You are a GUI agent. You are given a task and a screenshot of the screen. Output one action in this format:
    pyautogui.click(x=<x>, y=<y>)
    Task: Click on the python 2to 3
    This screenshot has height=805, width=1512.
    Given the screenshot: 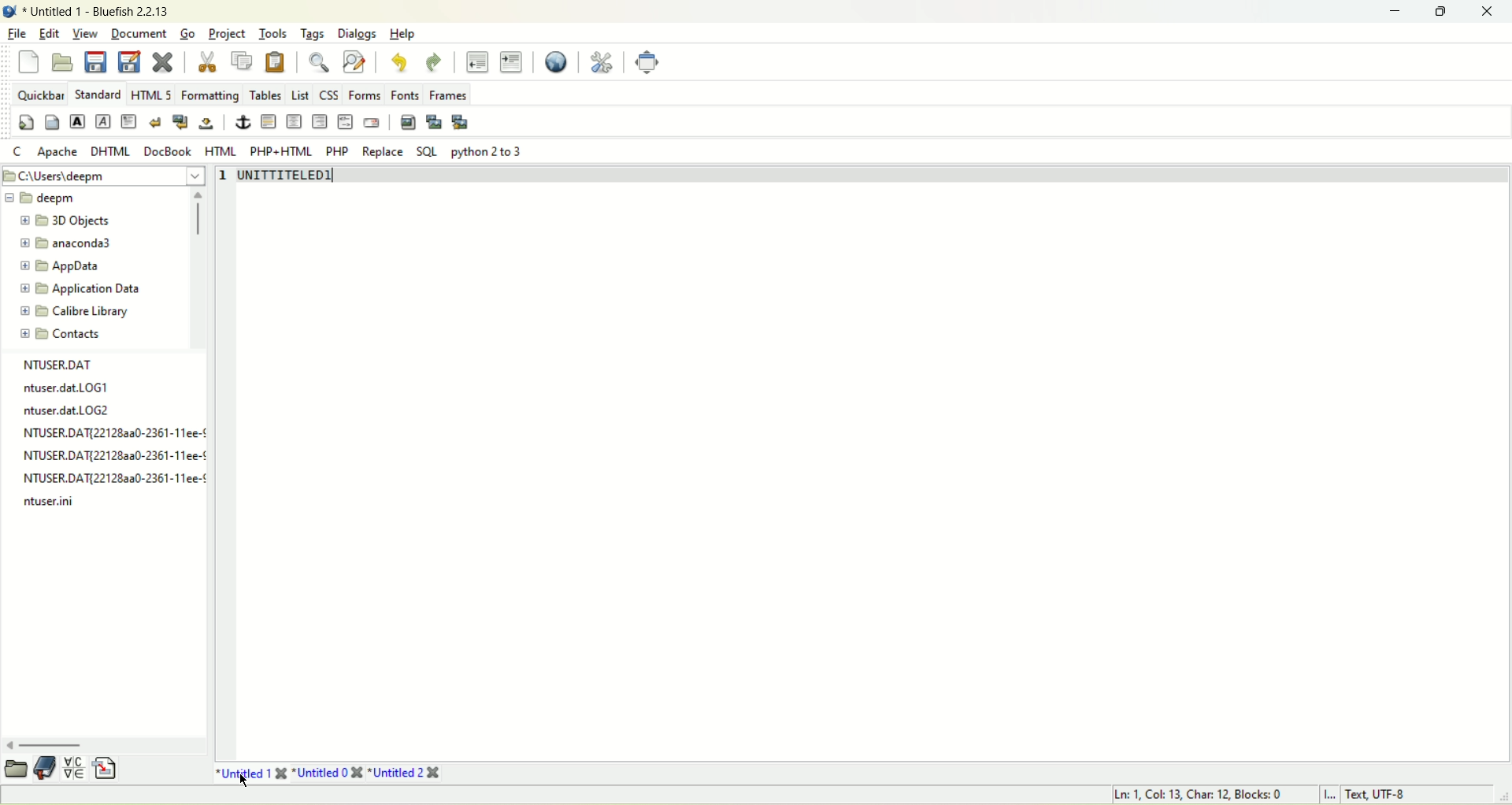 What is the action you would take?
    pyautogui.click(x=493, y=151)
    